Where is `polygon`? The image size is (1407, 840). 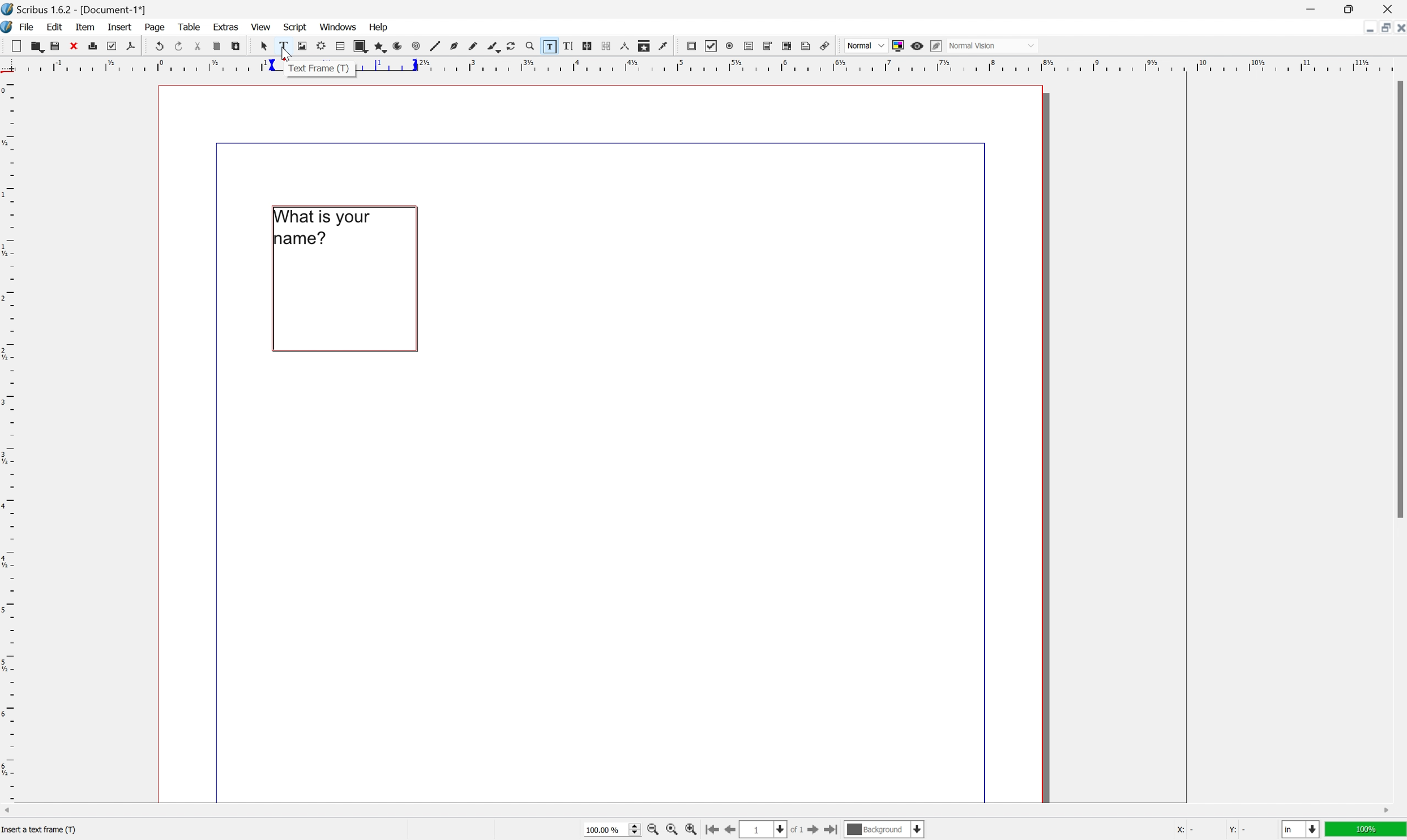
polygon is located at coordinates (382, 48).